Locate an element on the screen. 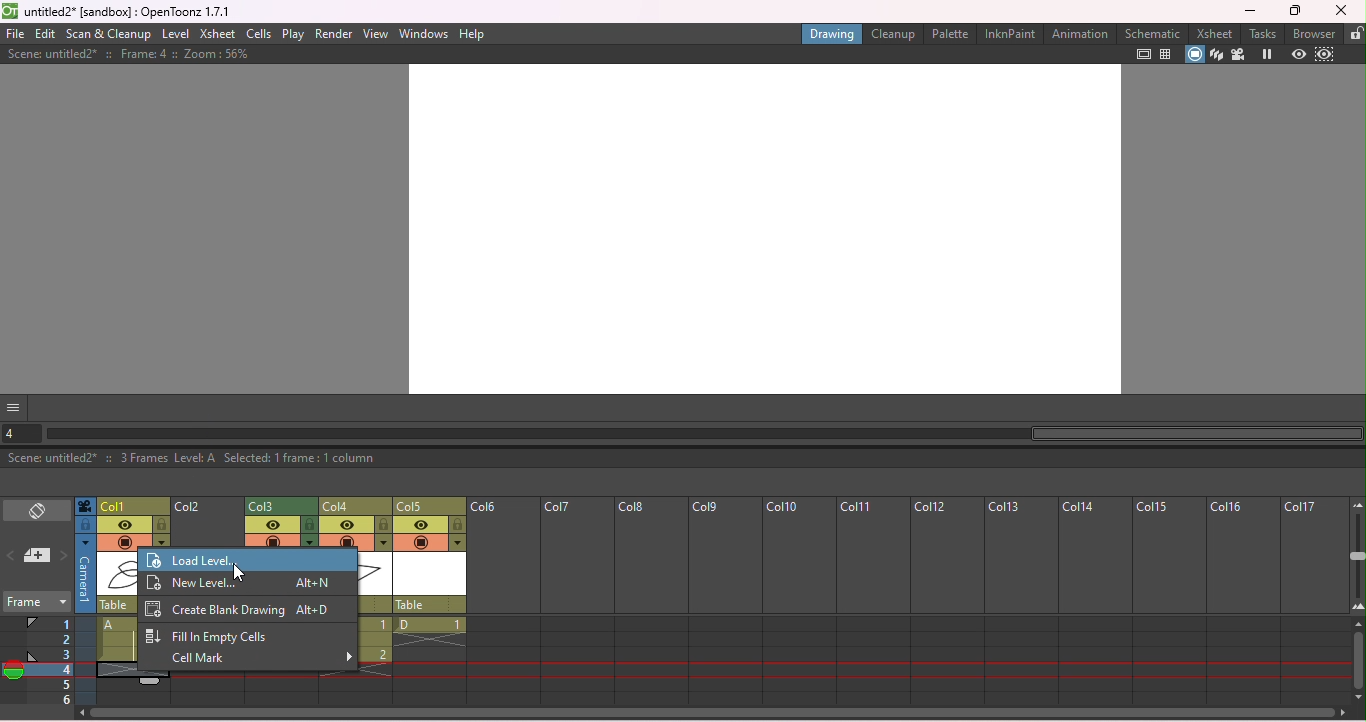  Frame is located at coordinates (35, 604).